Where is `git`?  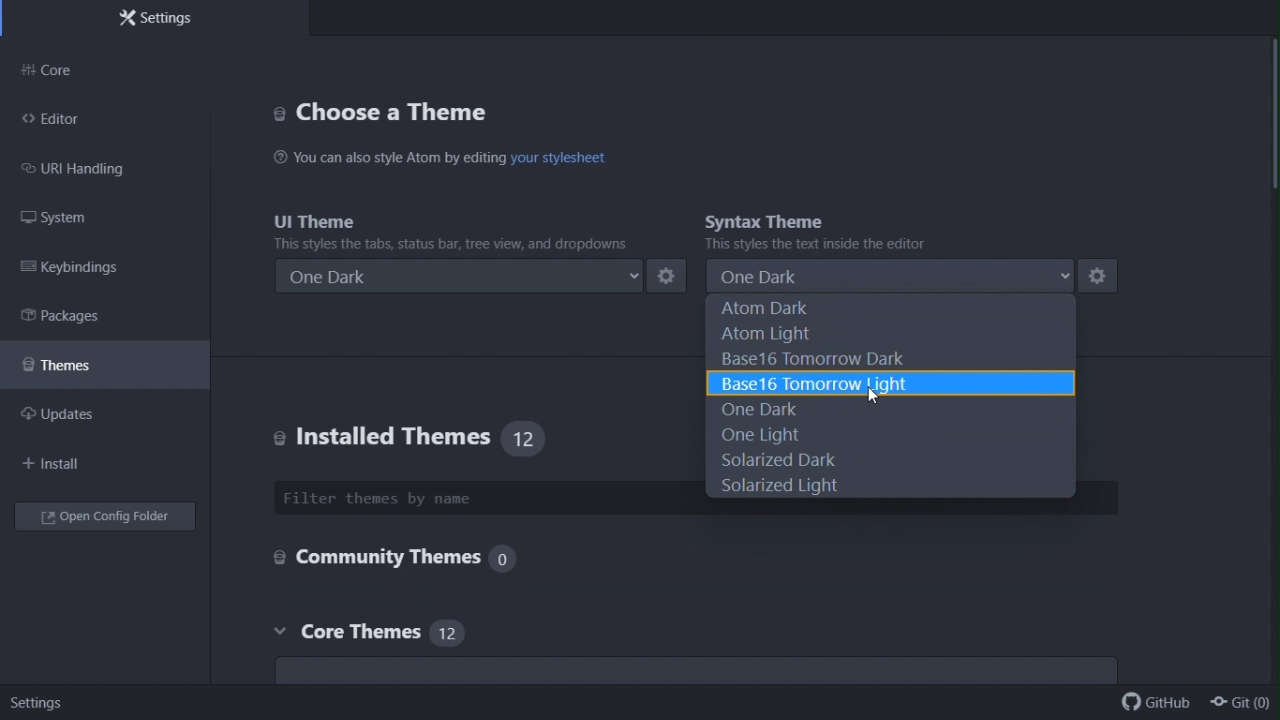 git is located at coordinates (1242, 703).